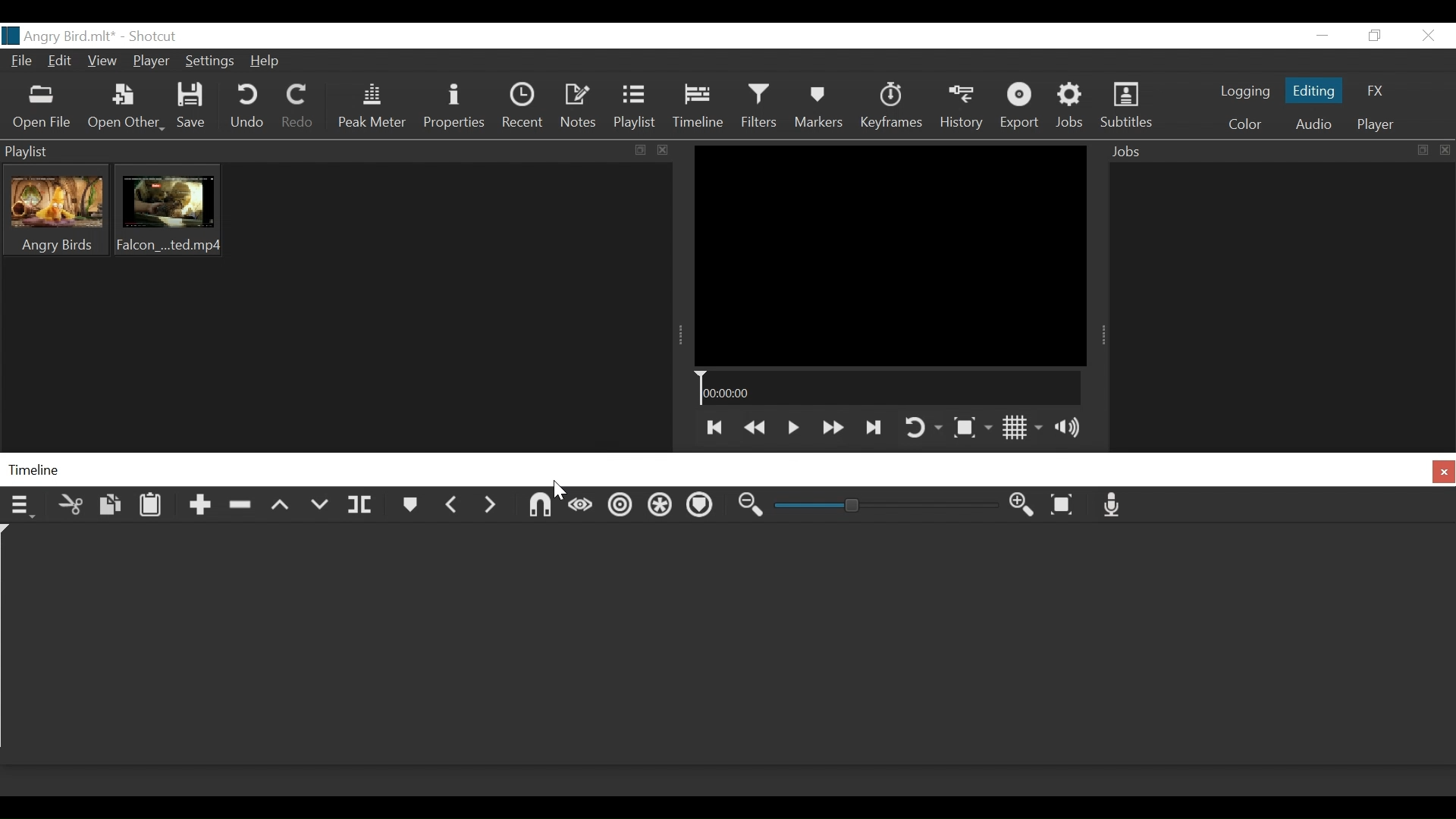 This screenshot has width=1456, height=819. I want to click on Media Viewer, so click(889, 254).